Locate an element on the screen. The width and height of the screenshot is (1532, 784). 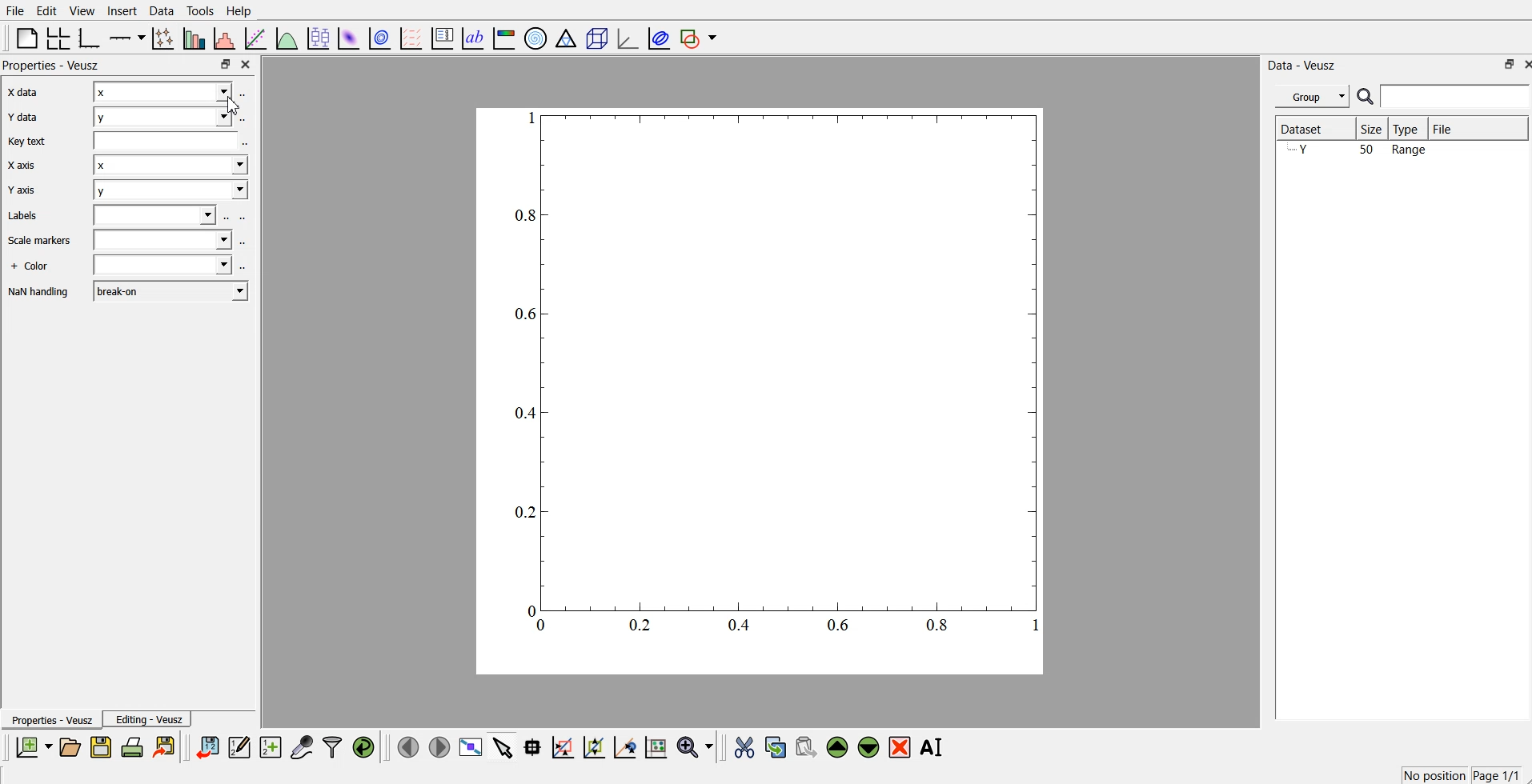
View is located at coordinates (82, 10).